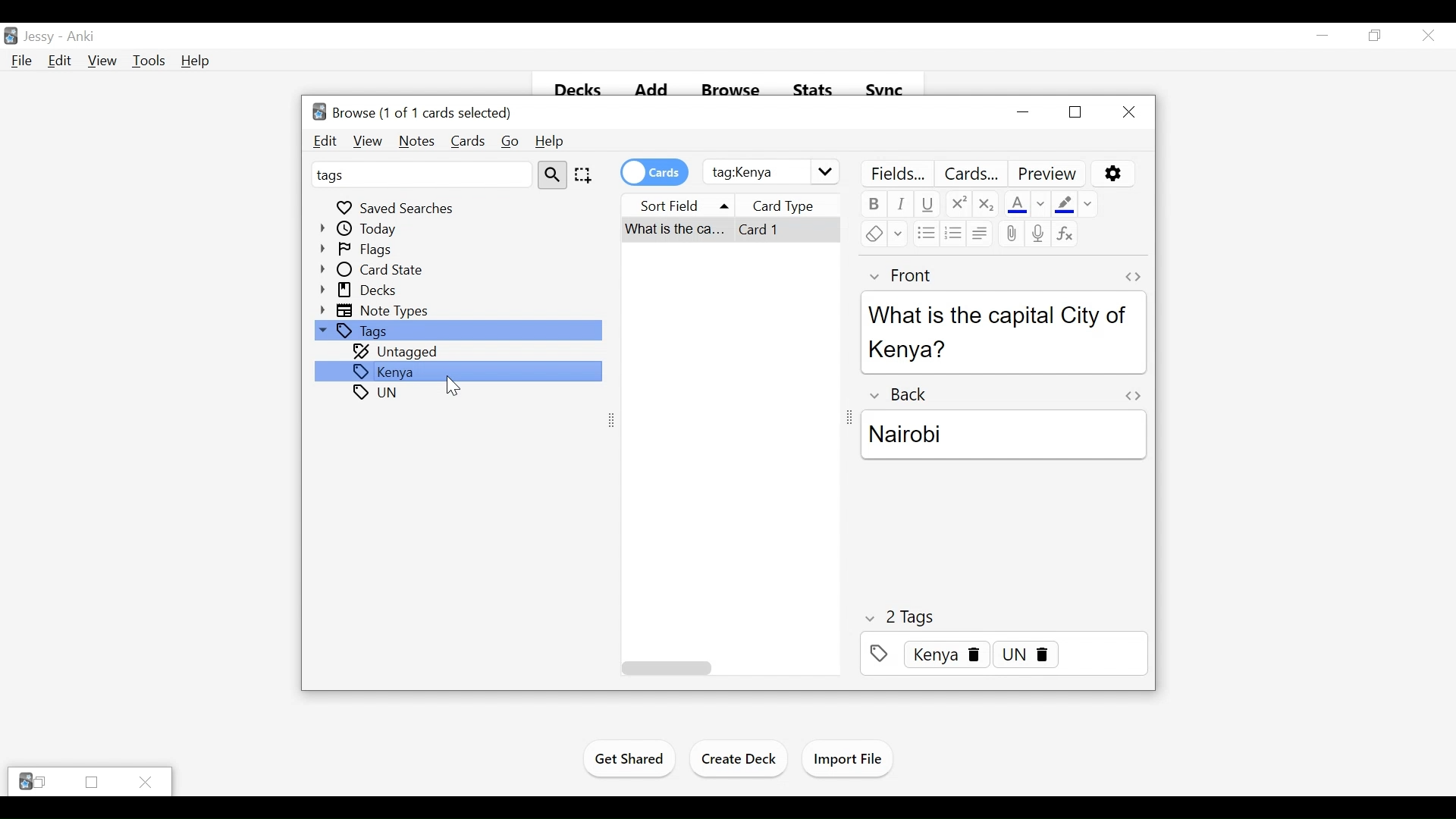 This screenshot has height=819, width=1456. Describe the element at coordinates (958, 205) in the screenshot. I see `Superscript` at that location.